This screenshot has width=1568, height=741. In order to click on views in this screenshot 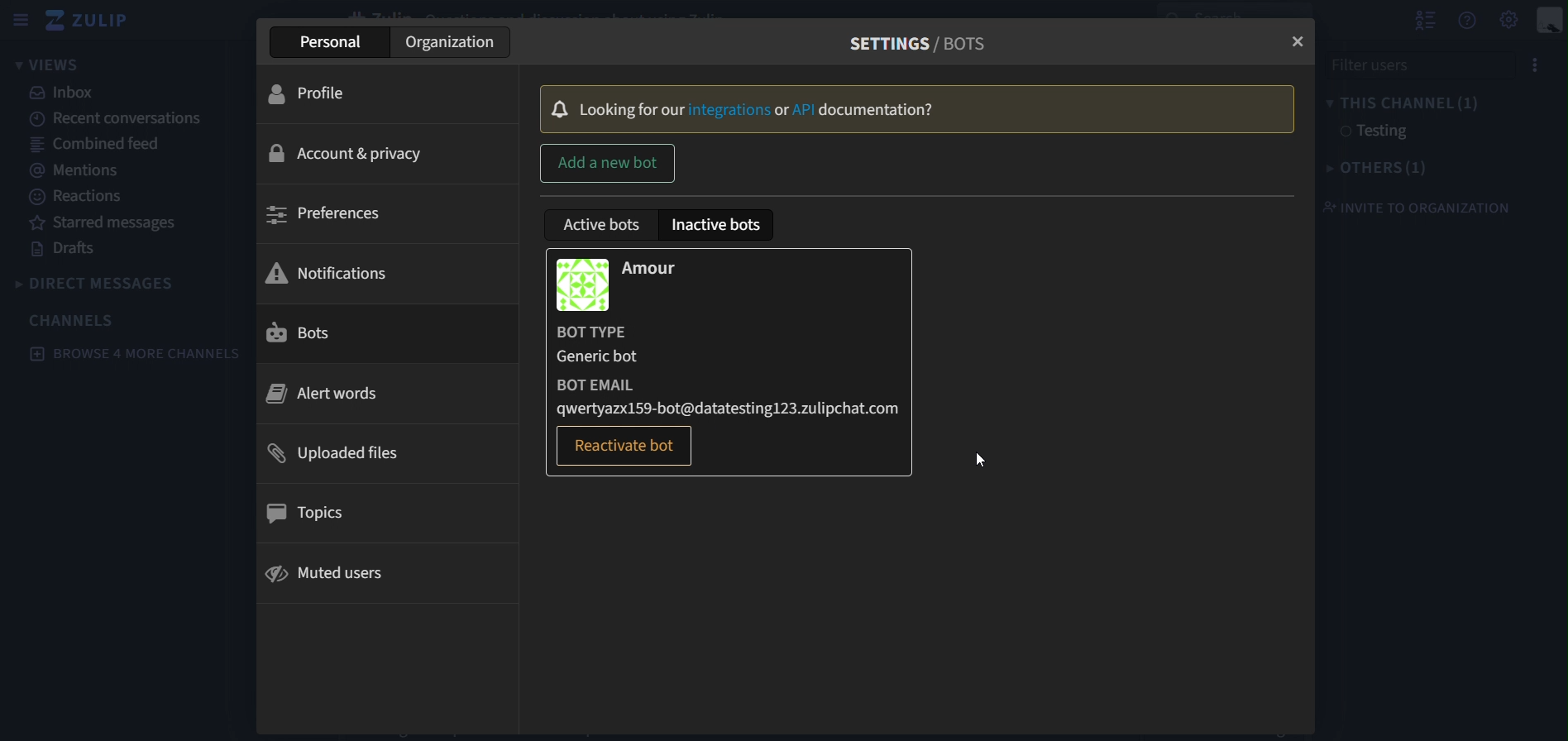, I will do `click(52, 65)`.